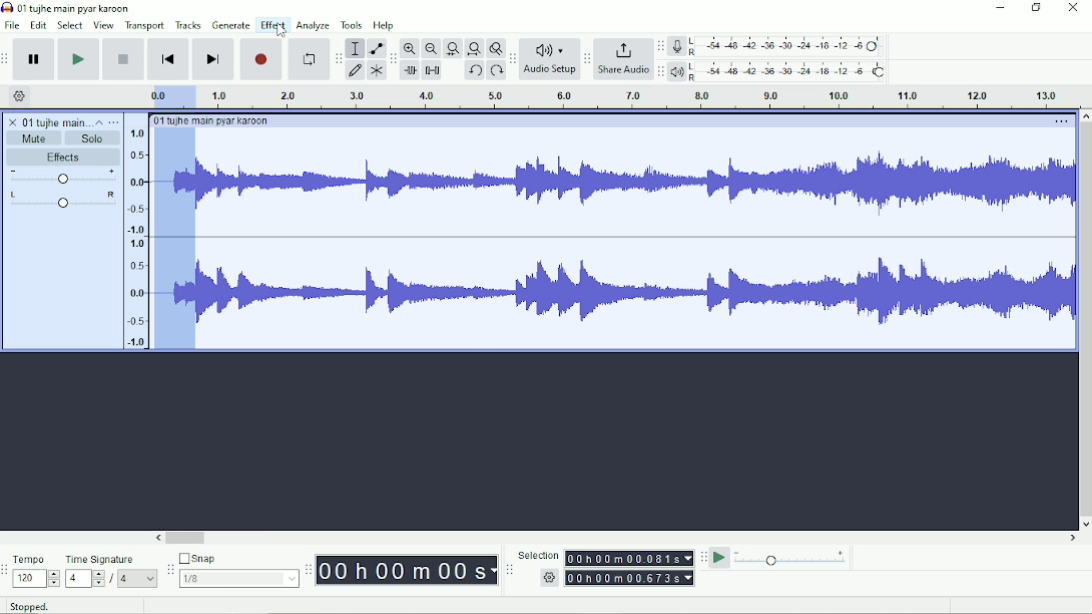 This screenshot has height=614, width=1092. What do you see at coordinates (175, 239) in the screenshot?
I see `Already Played` at bounding box center [175, 239].